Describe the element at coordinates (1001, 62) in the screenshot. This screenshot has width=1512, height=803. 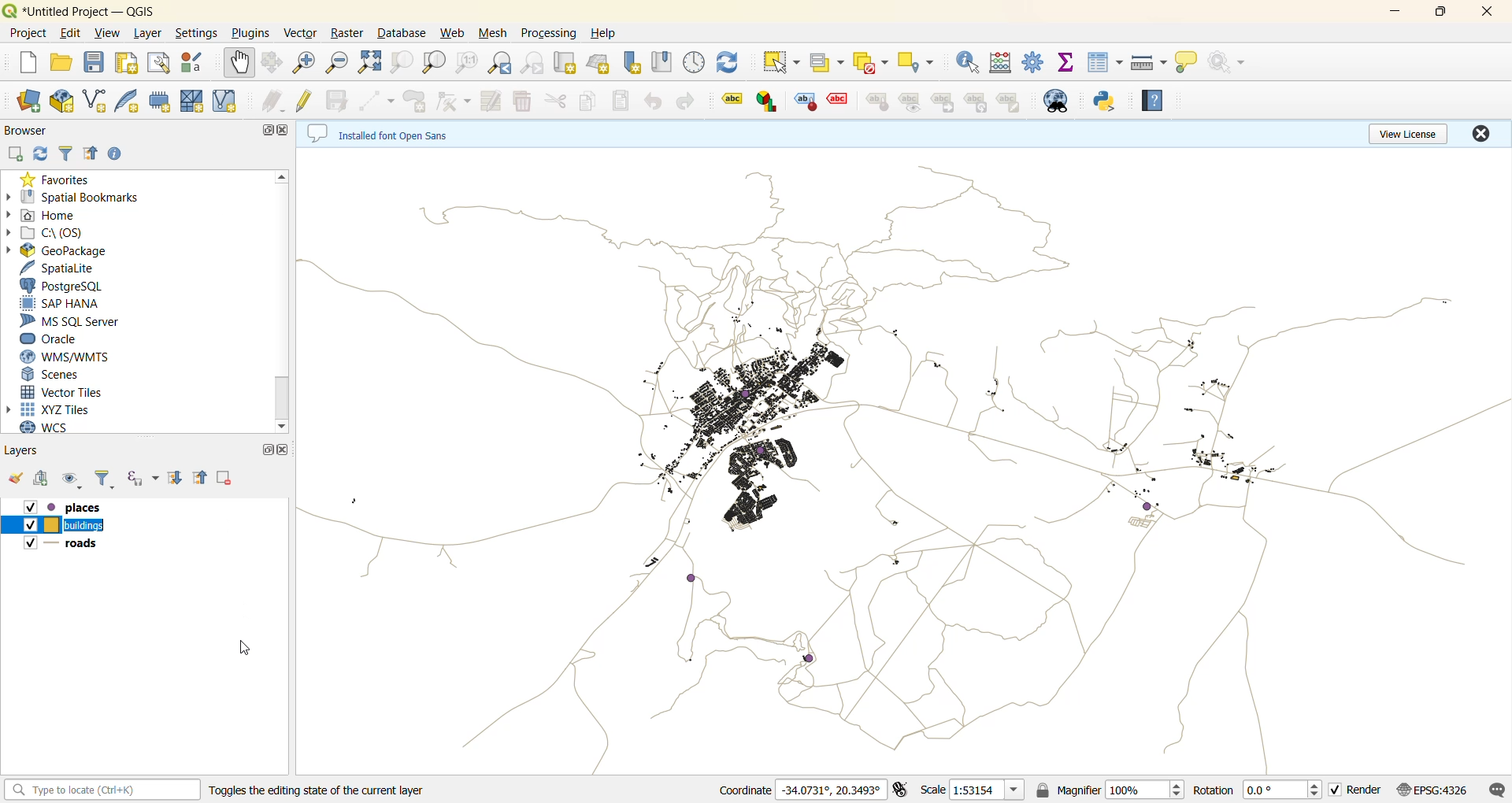
I see `calculator` at that location.